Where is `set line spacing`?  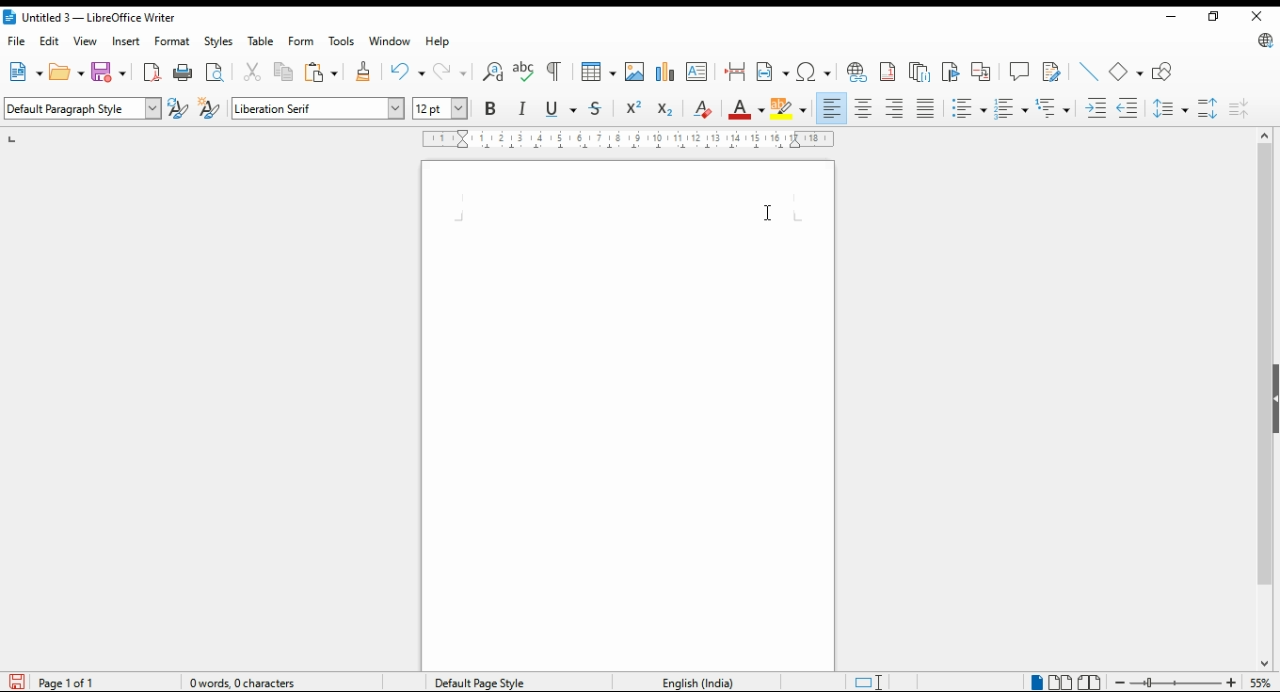
set line spacing is located at coordinates (1172, 108).